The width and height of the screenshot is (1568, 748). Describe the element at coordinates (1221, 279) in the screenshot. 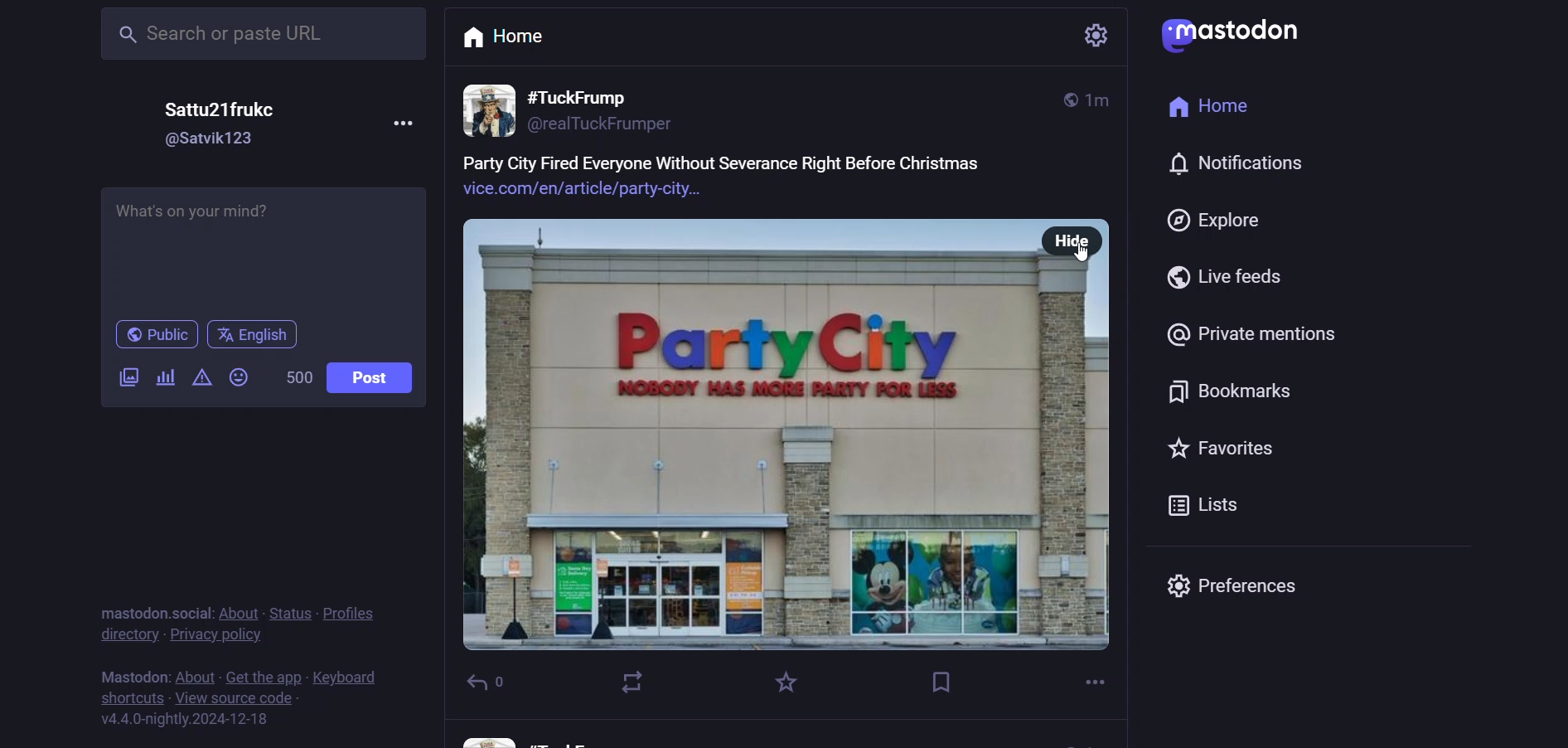

I see `Live feeds` at that location.